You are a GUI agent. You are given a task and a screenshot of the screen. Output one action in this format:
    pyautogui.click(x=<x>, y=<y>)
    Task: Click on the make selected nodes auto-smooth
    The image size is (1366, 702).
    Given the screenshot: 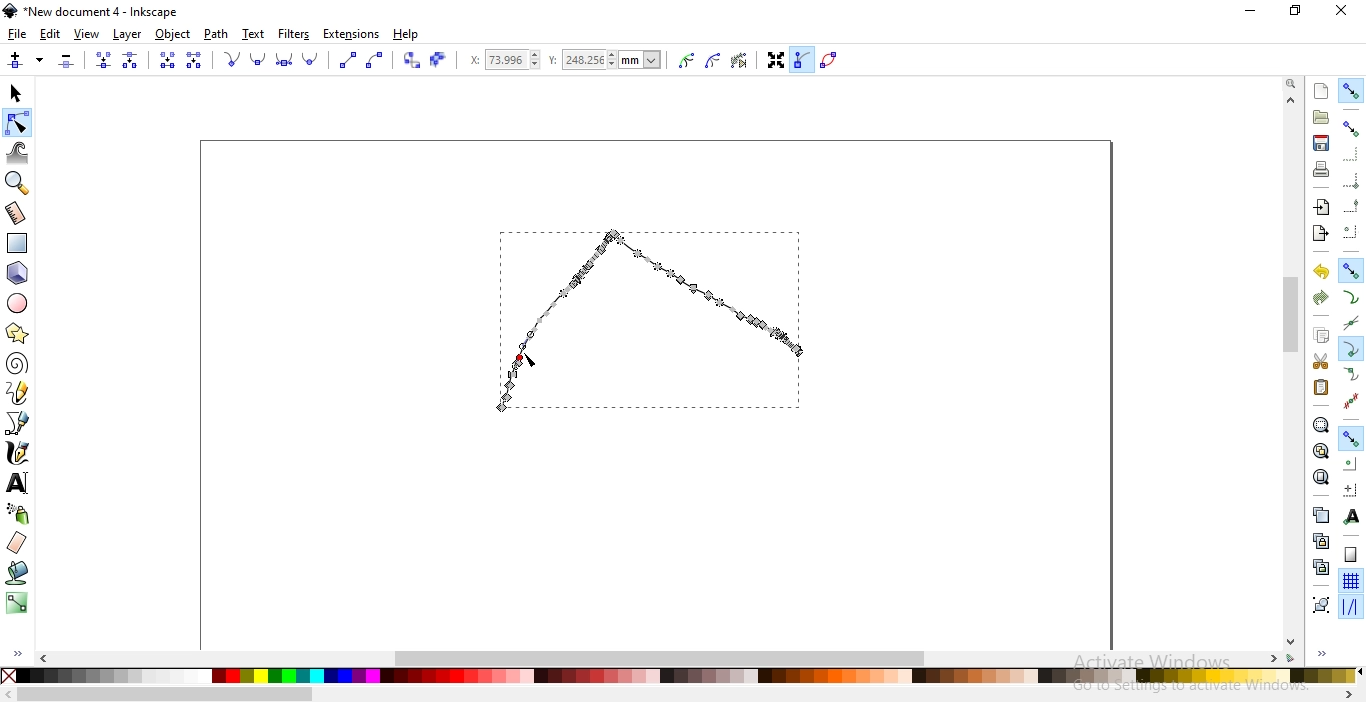 What is the action you would take?
    pyautogui.click(x=311, y=60)
    